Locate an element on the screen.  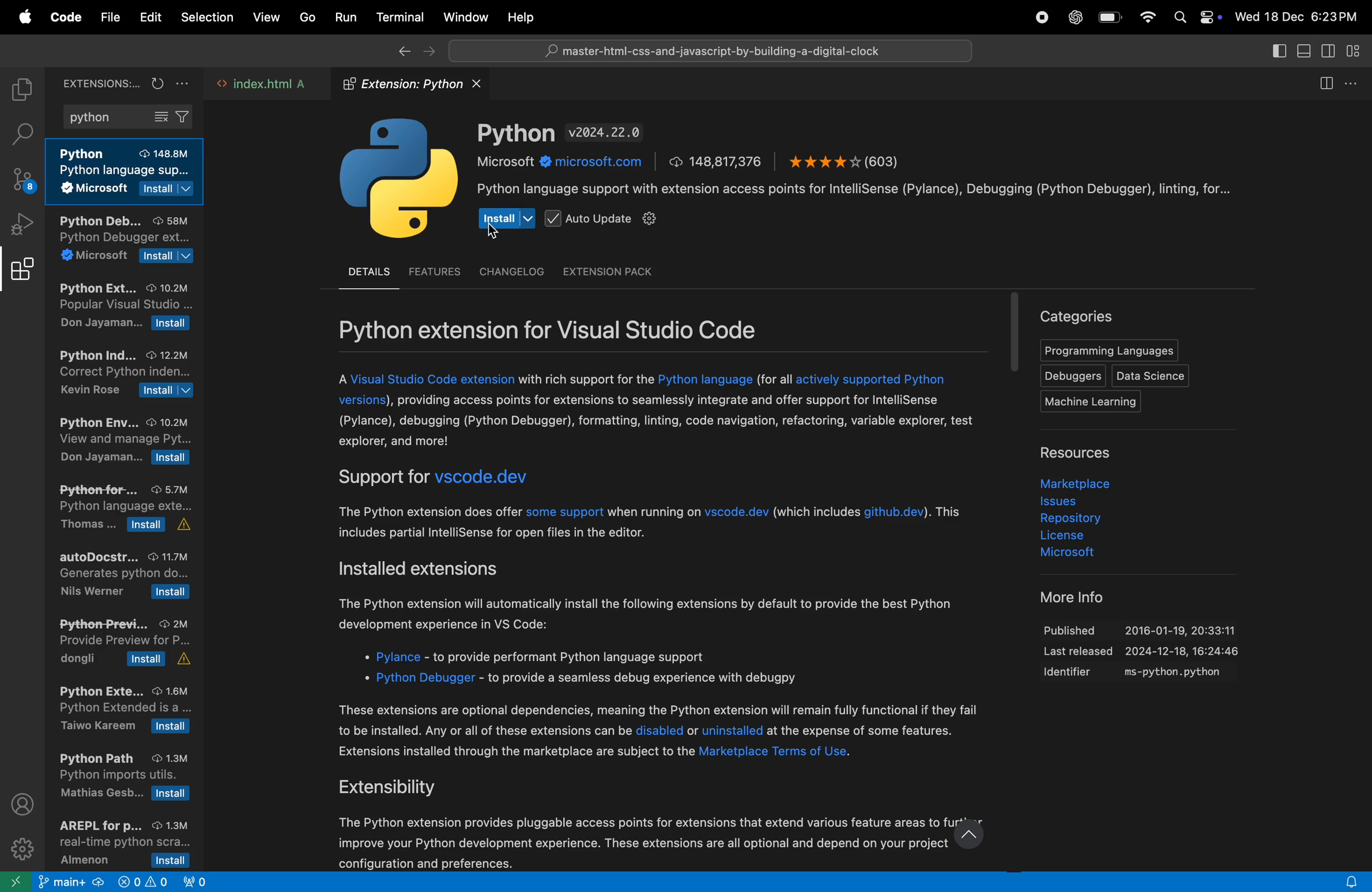
no problems is located at coordinates (141, 883).